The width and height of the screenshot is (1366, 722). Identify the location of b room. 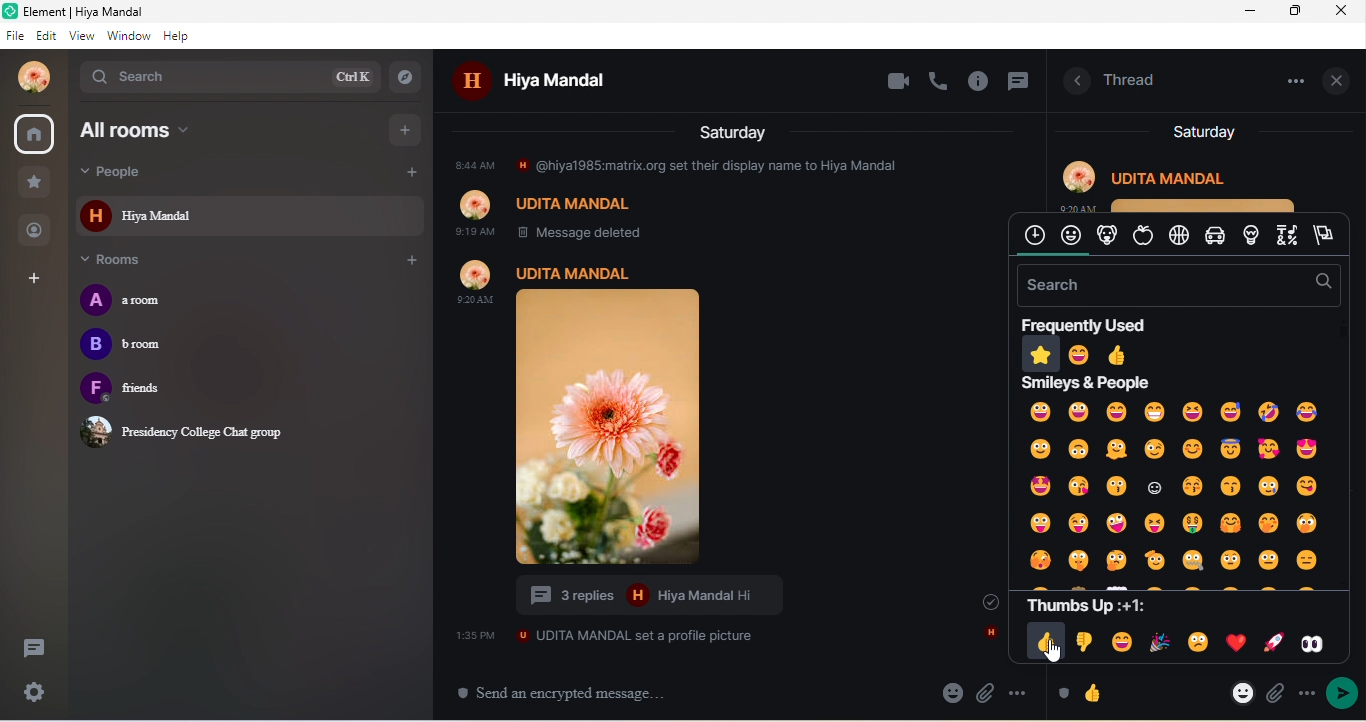
(129, 347).